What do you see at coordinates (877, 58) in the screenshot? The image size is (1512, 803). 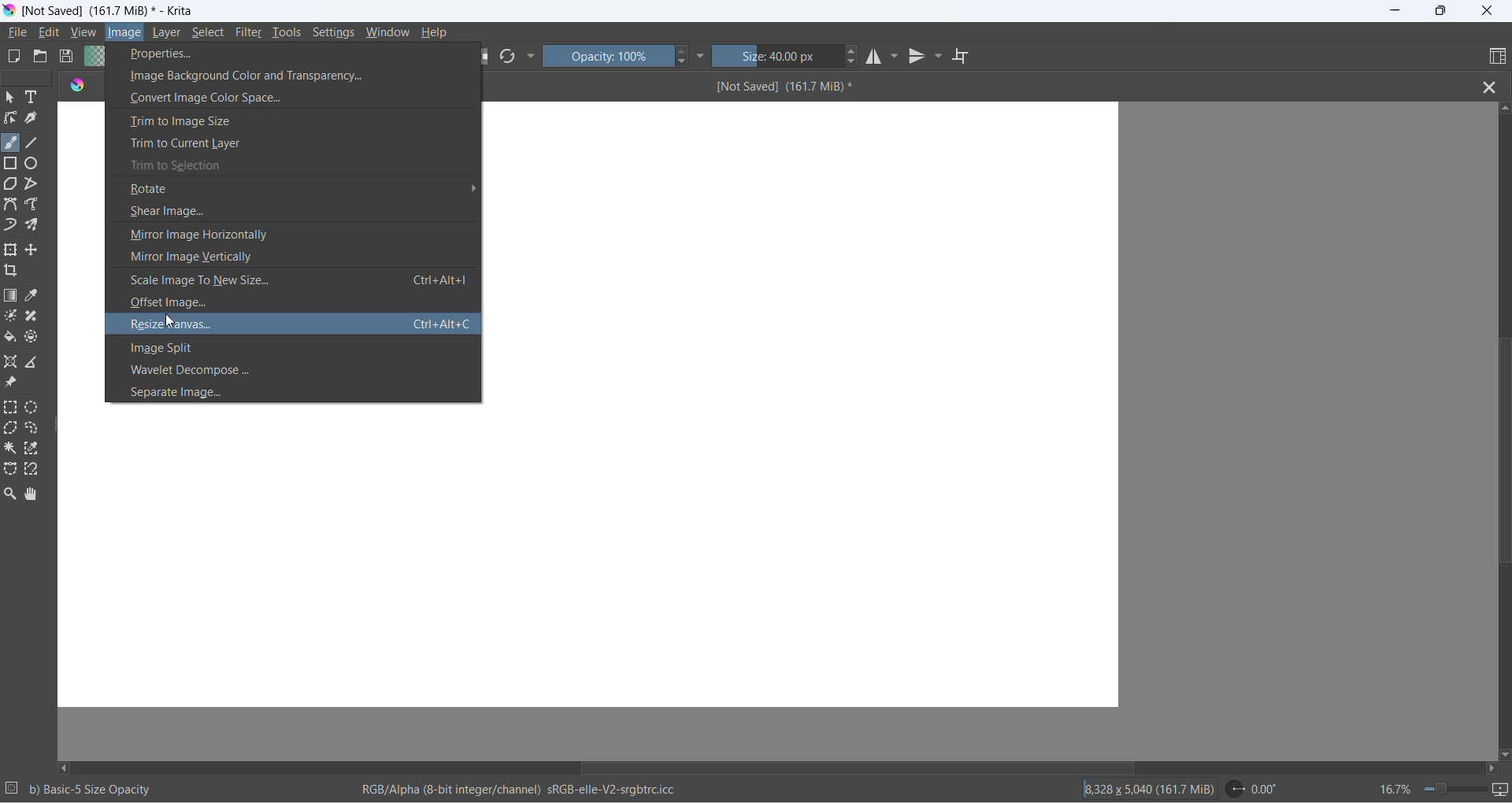 I see `horizontal mirror tool` at bounding box center [877, 58].